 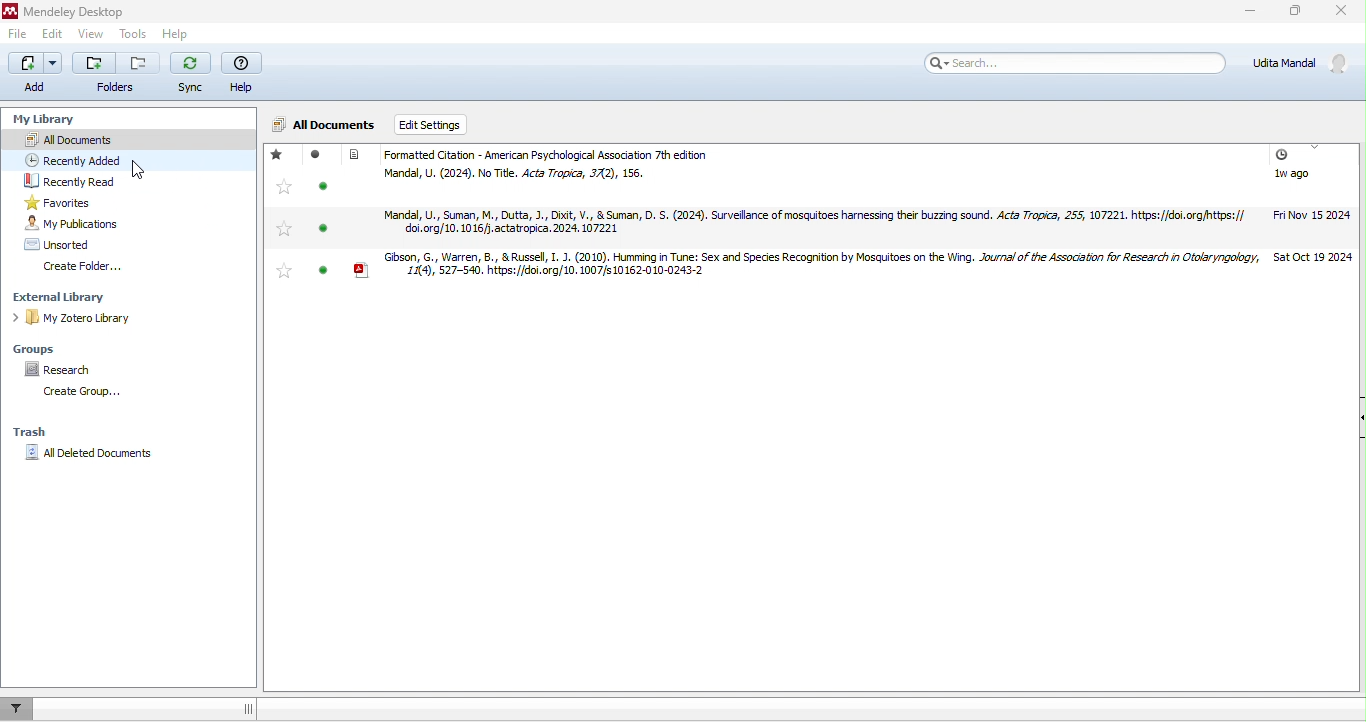 What do you see at coordinates (41, 348) in the screenshot?
I see `Groups` at bounding box center [41, 348].